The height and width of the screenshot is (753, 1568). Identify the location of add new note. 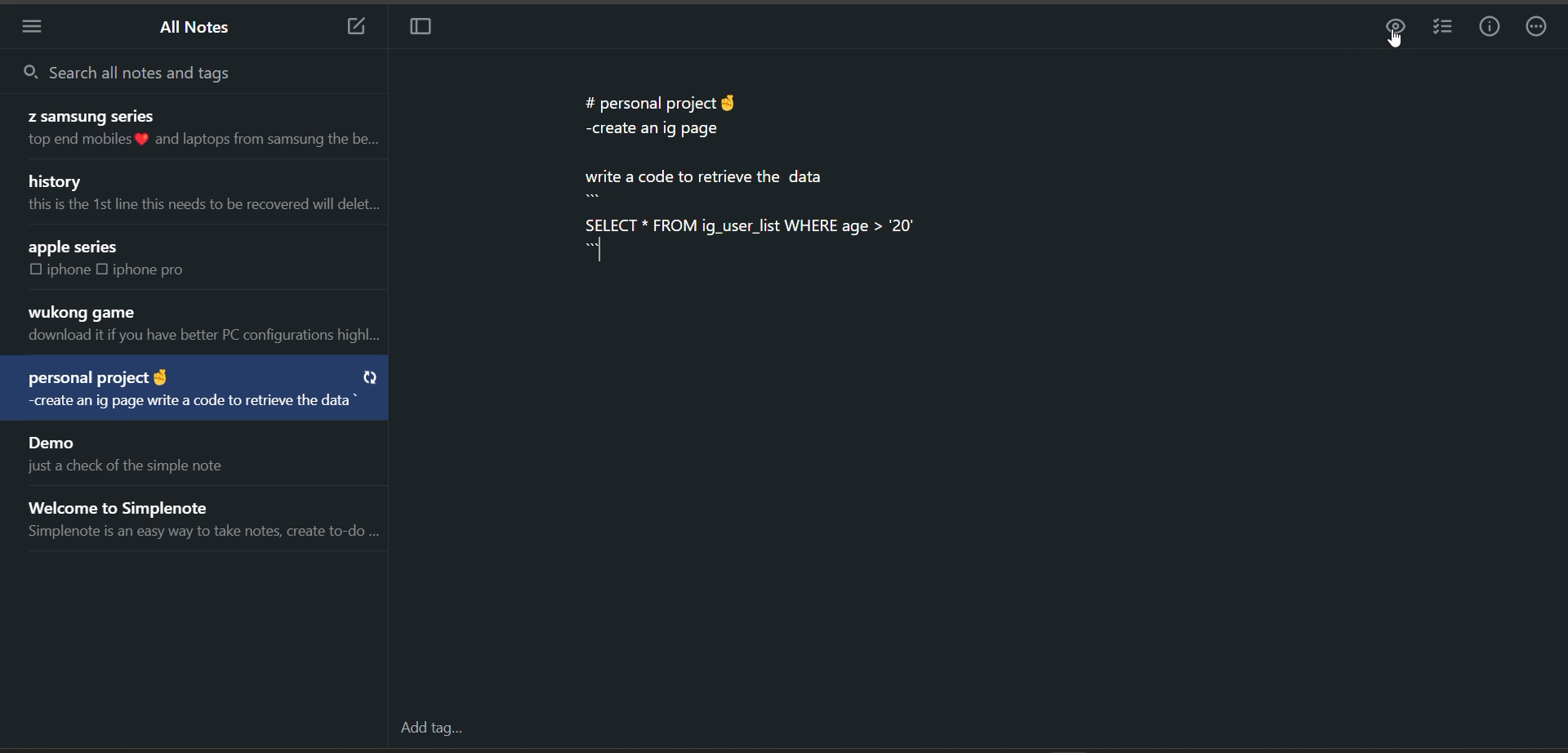
(350, 26).